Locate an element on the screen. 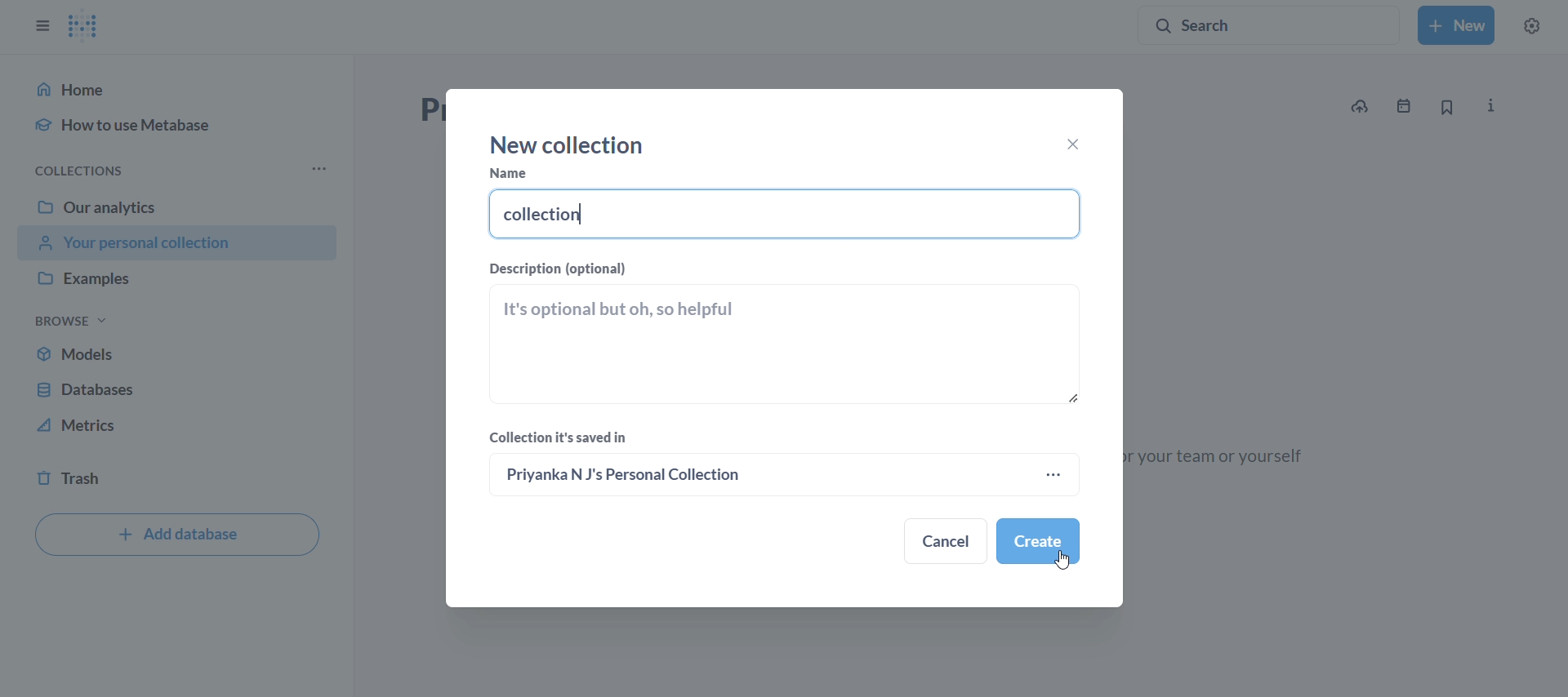  metabase logo is located at coordinates (84, 25).